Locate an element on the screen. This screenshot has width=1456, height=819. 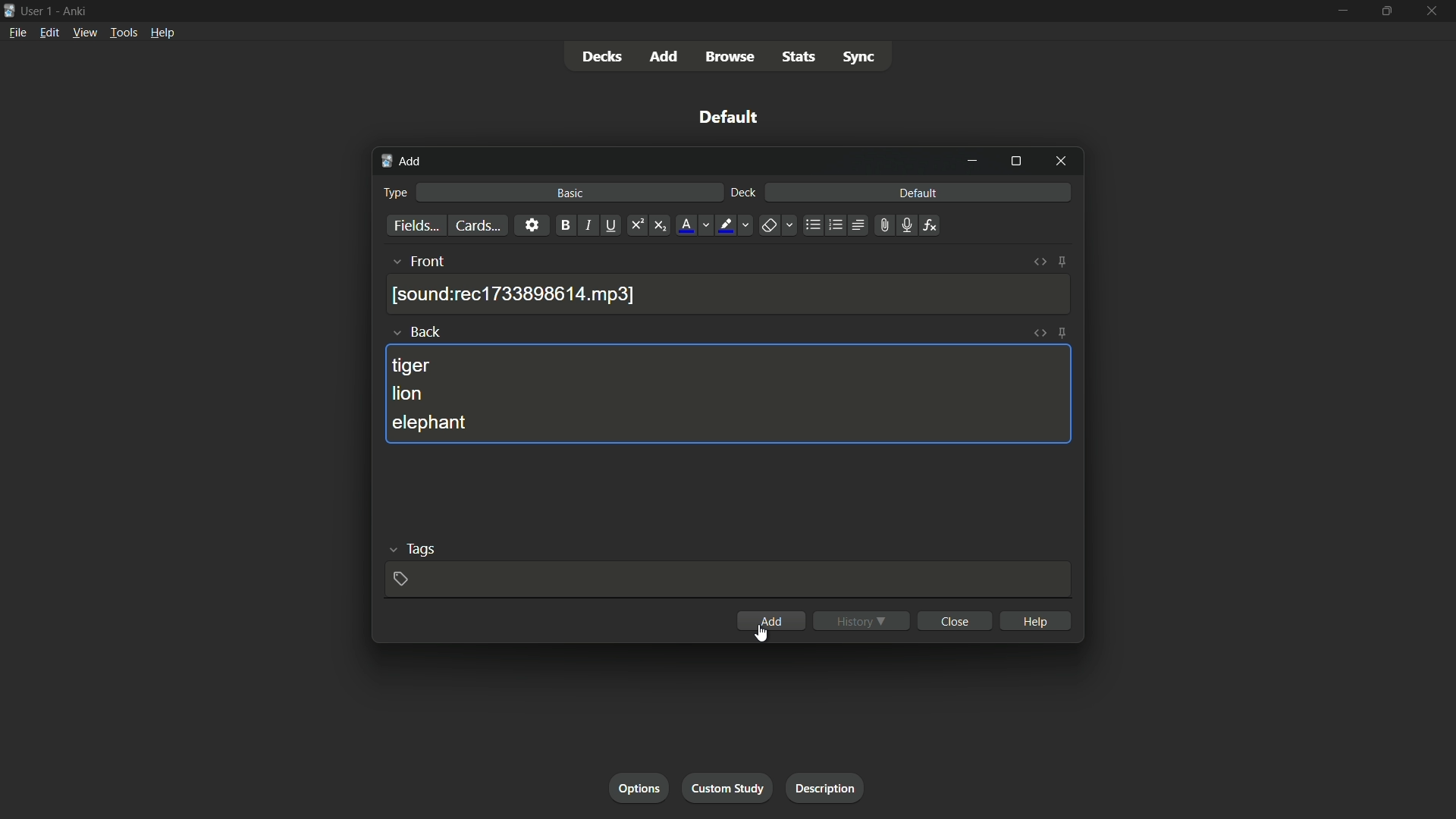
toggle html editor is located at coordinates (1040, 334).